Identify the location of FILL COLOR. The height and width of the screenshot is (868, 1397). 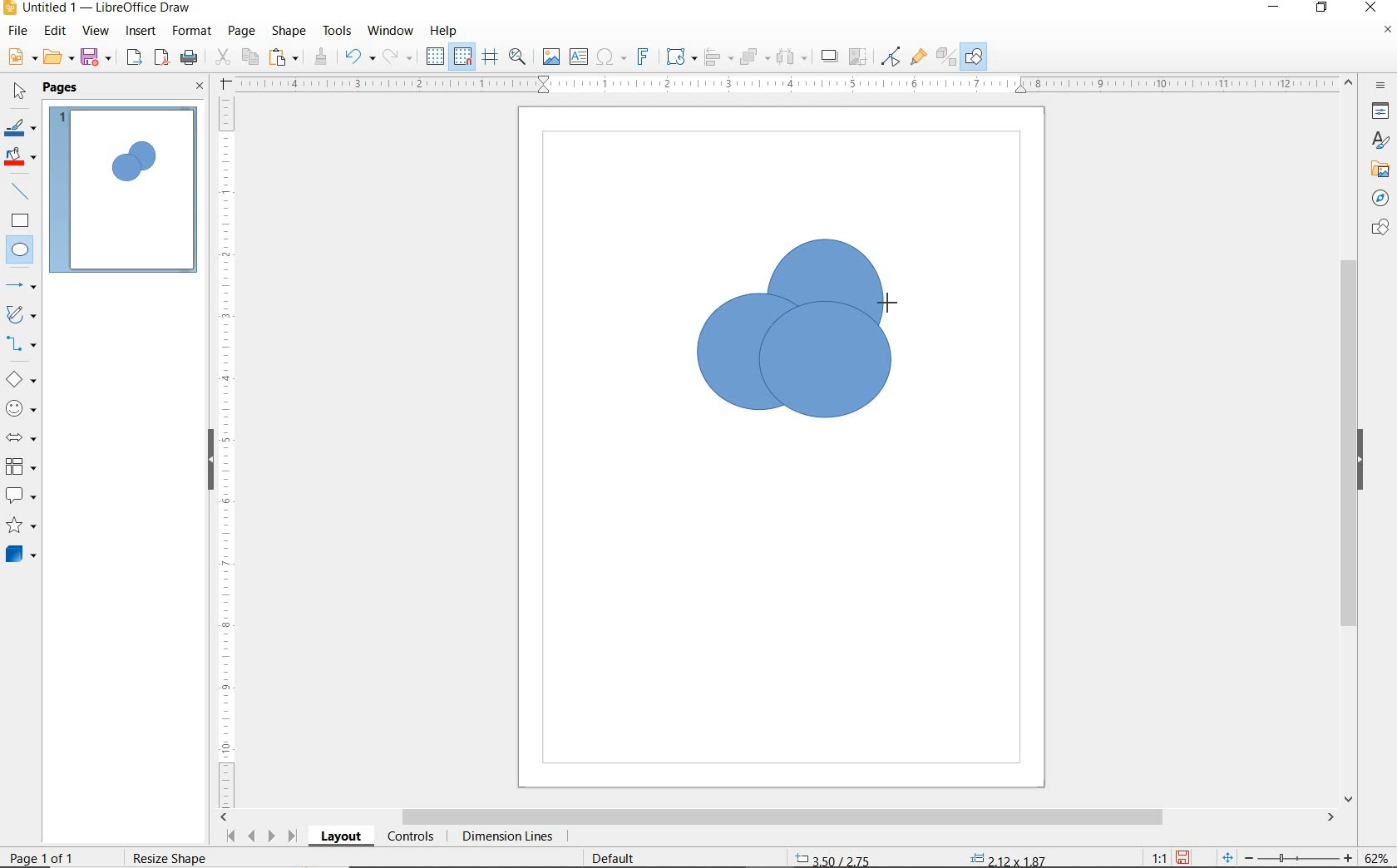
(22, 158).